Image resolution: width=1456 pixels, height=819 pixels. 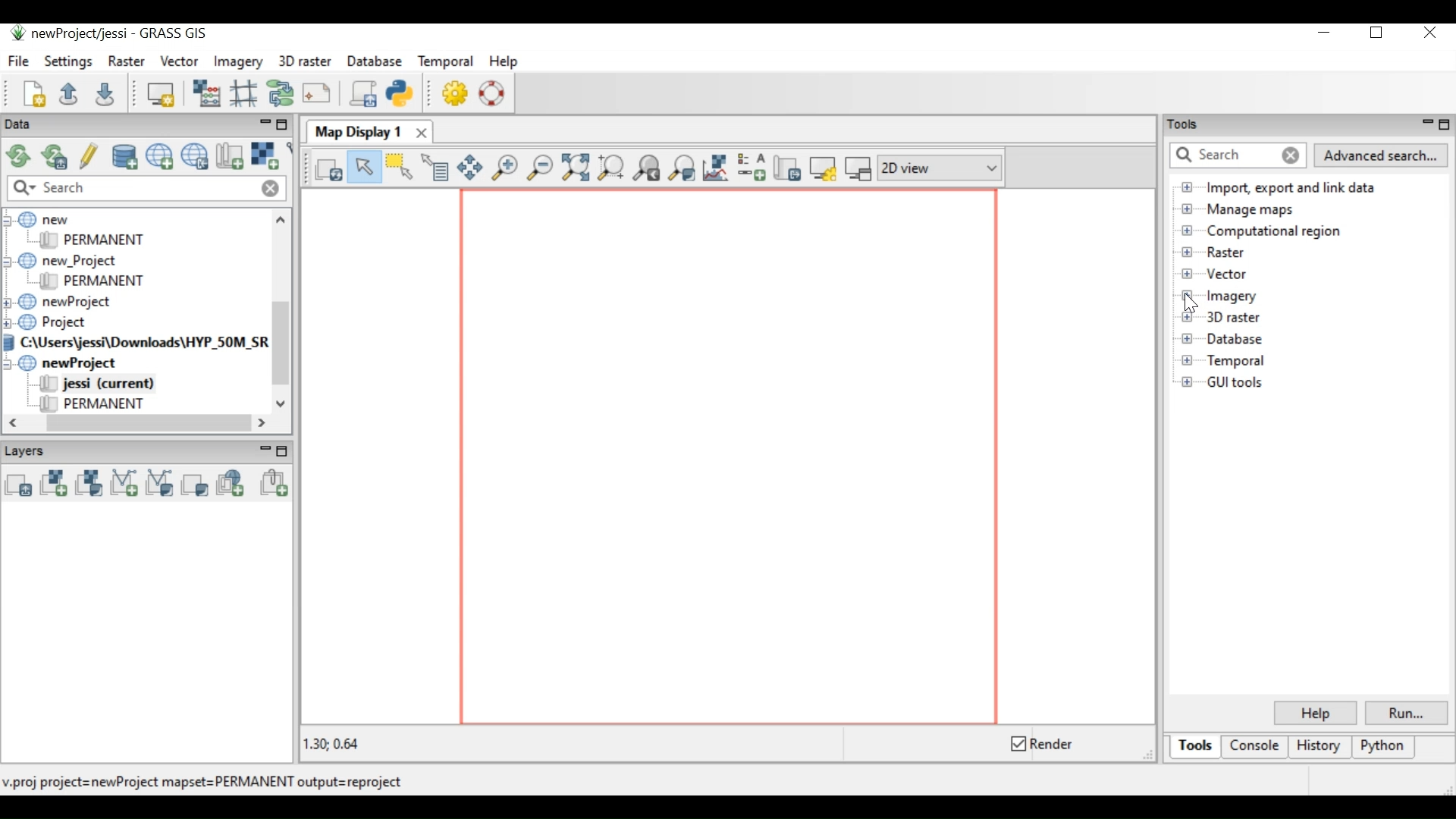 What do you see at coordinates (941, 169) in the screenshot?
I see `2D view` at bounding box center [941, 169].